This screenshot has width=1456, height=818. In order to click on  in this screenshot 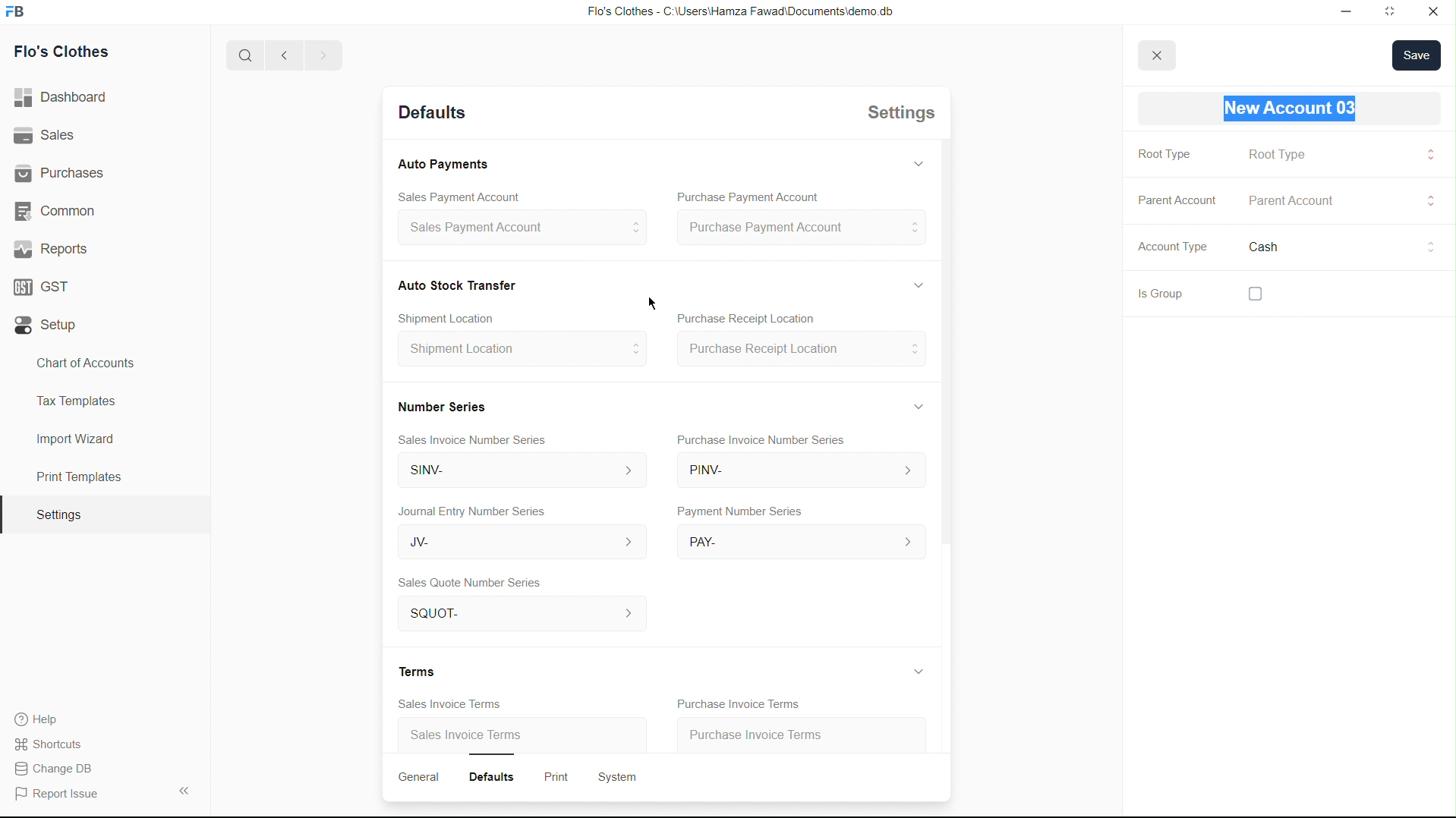, I will do `click(1428, 247)`.